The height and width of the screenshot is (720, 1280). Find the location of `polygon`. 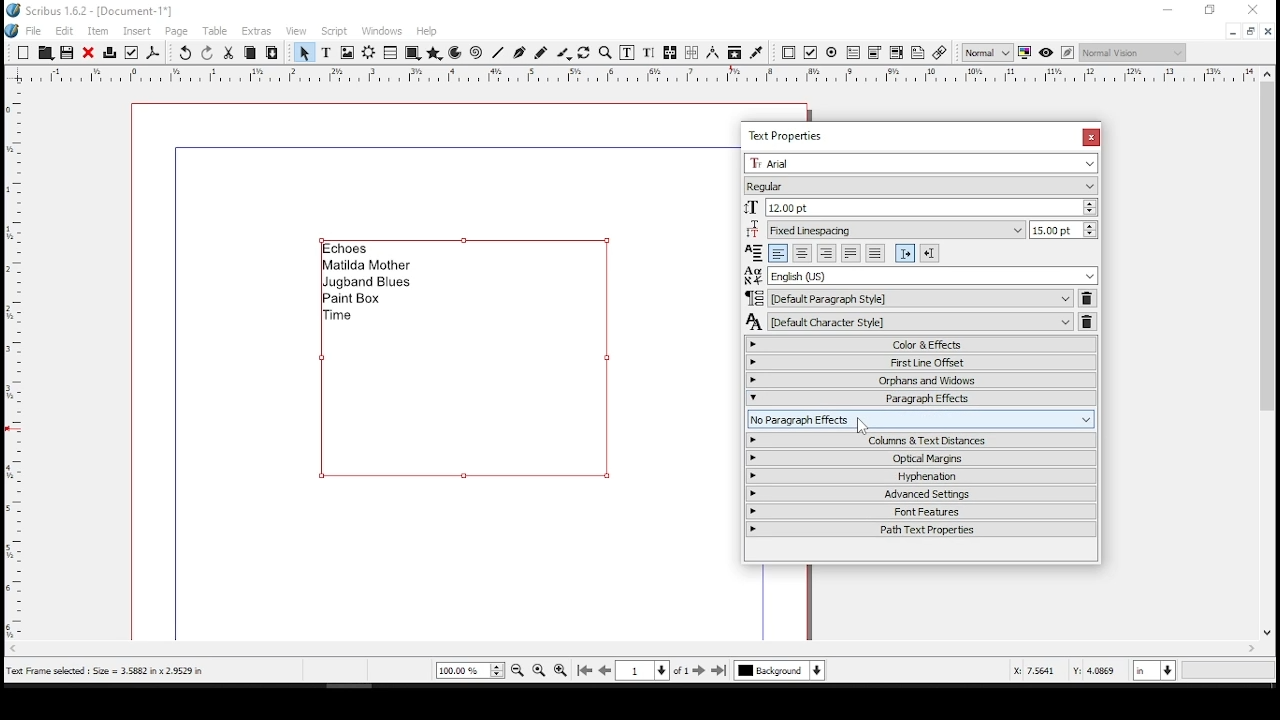

polygon is located at coordinates (435, 54).